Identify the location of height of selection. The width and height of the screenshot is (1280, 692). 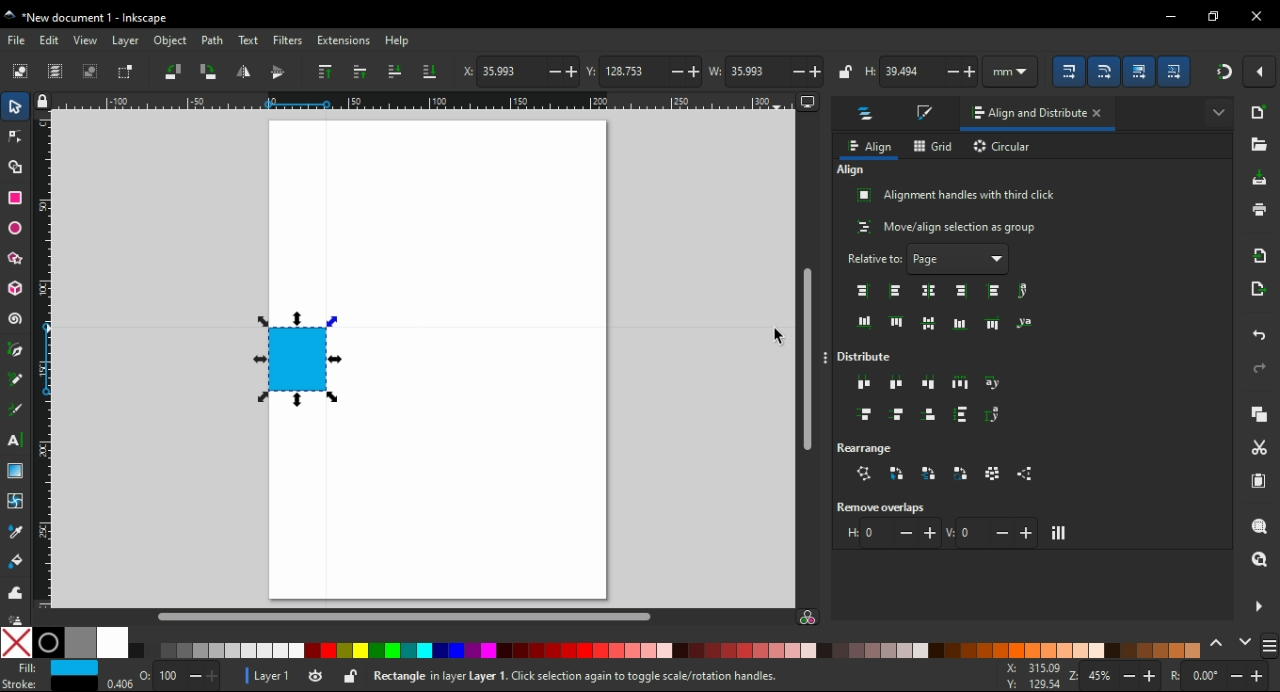
(918, 72).